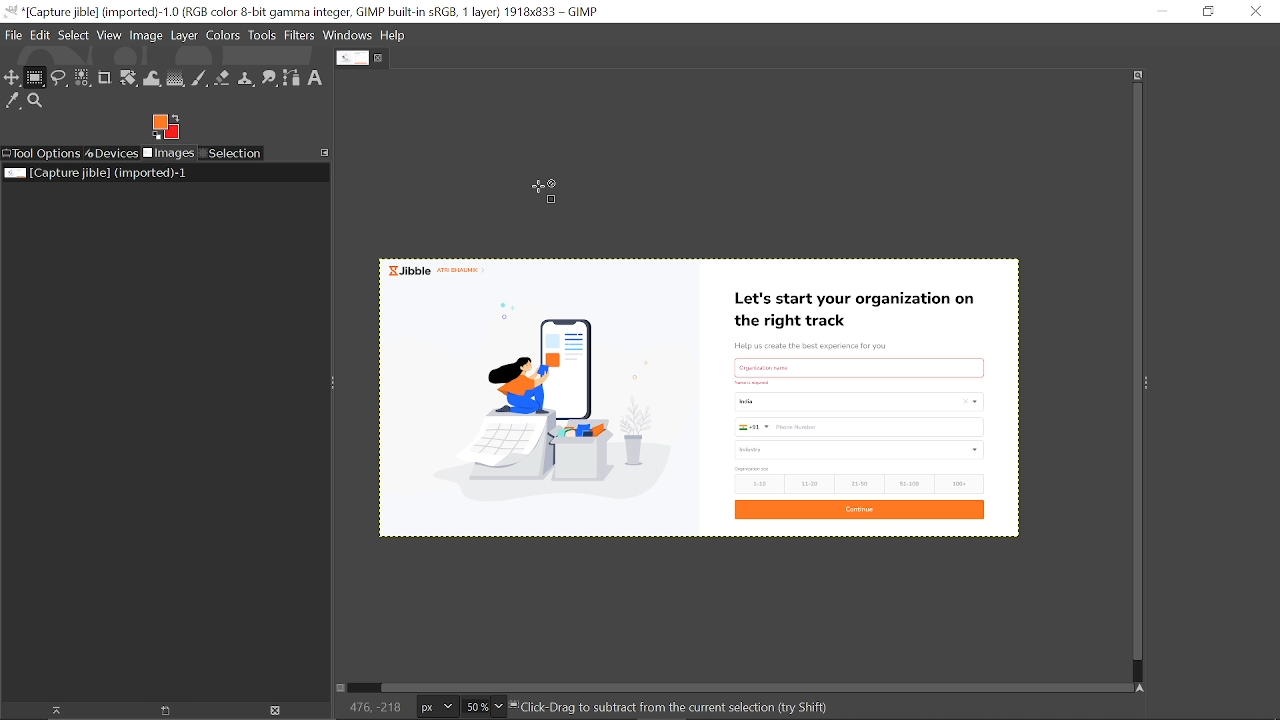  Describe the element at coordinates (861, 450) in the screenshot. I see `industry` at that location.